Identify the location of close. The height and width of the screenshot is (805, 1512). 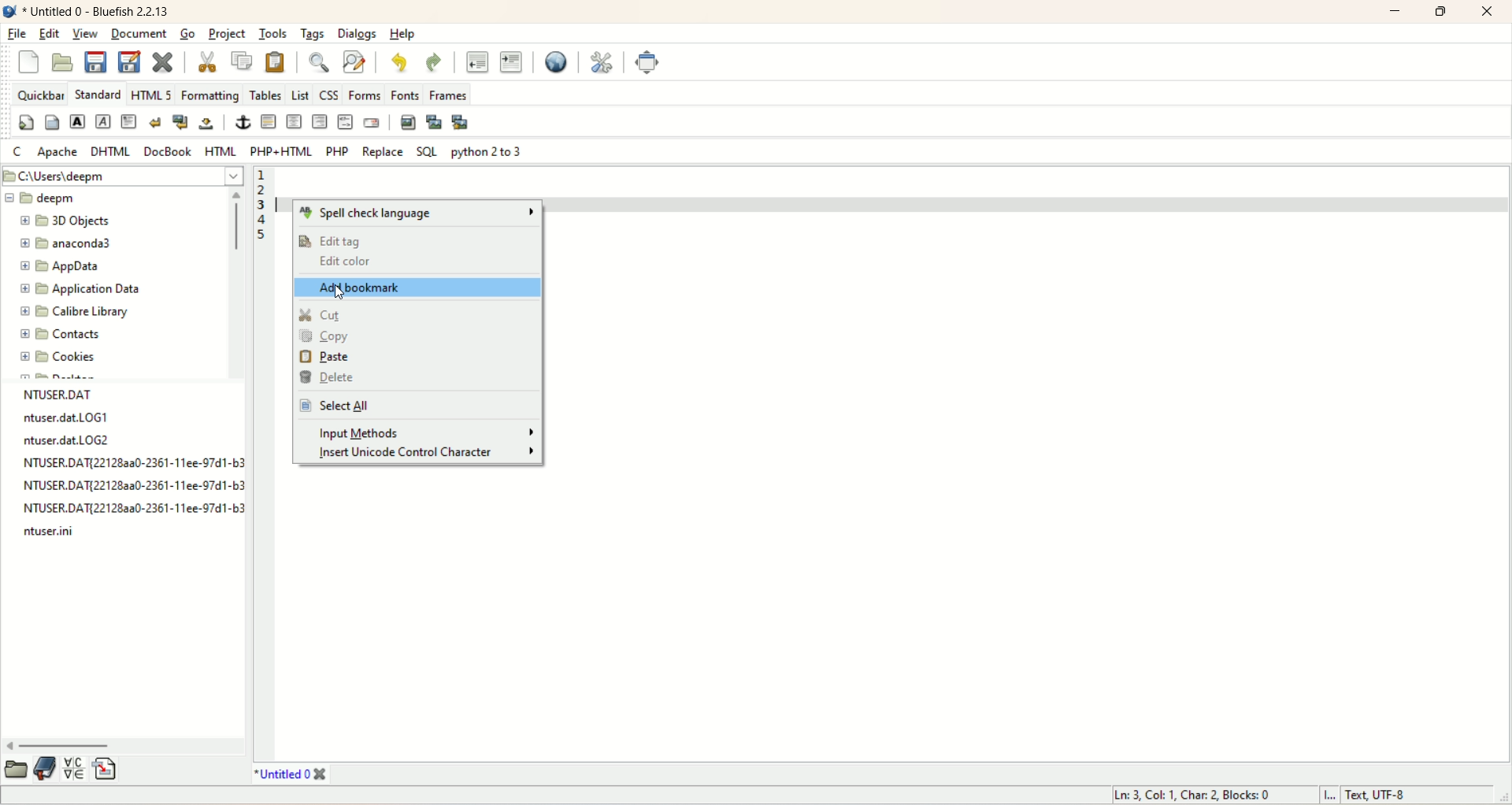
(1489, 10).